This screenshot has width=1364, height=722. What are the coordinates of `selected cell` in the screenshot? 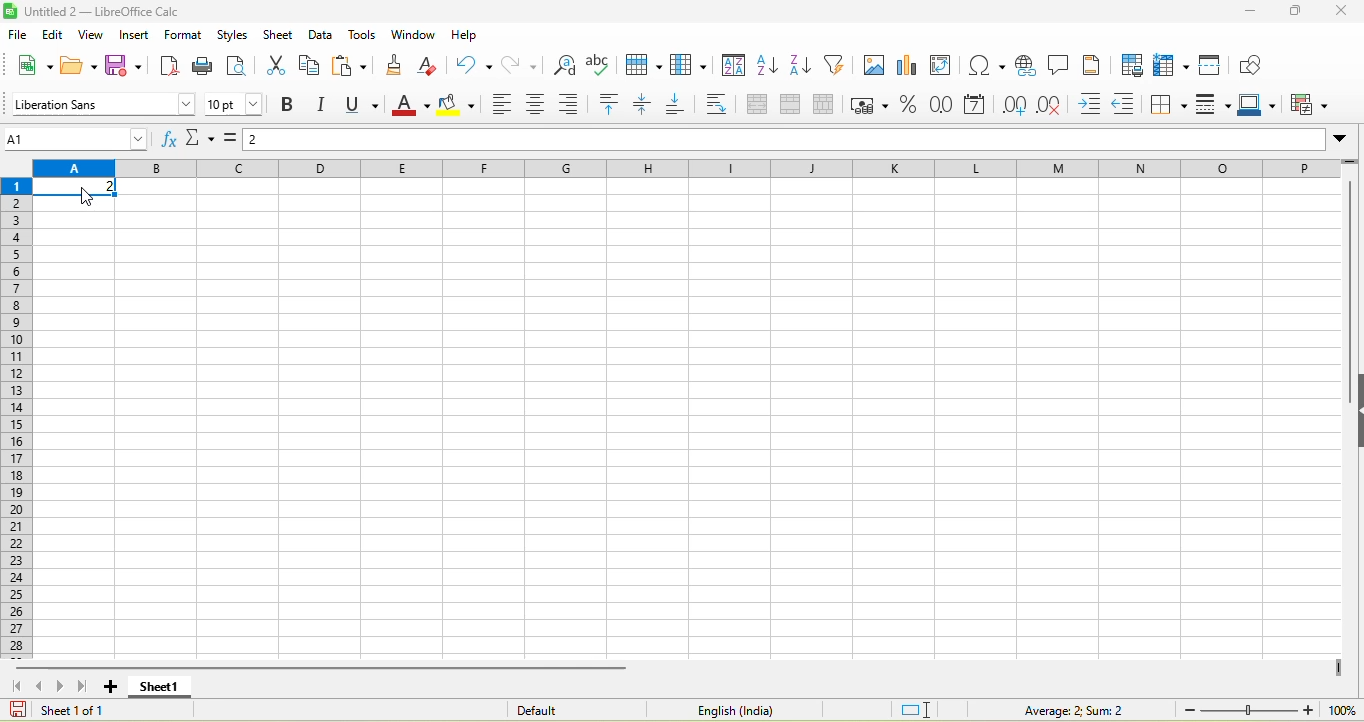 It's located at (78, 188).